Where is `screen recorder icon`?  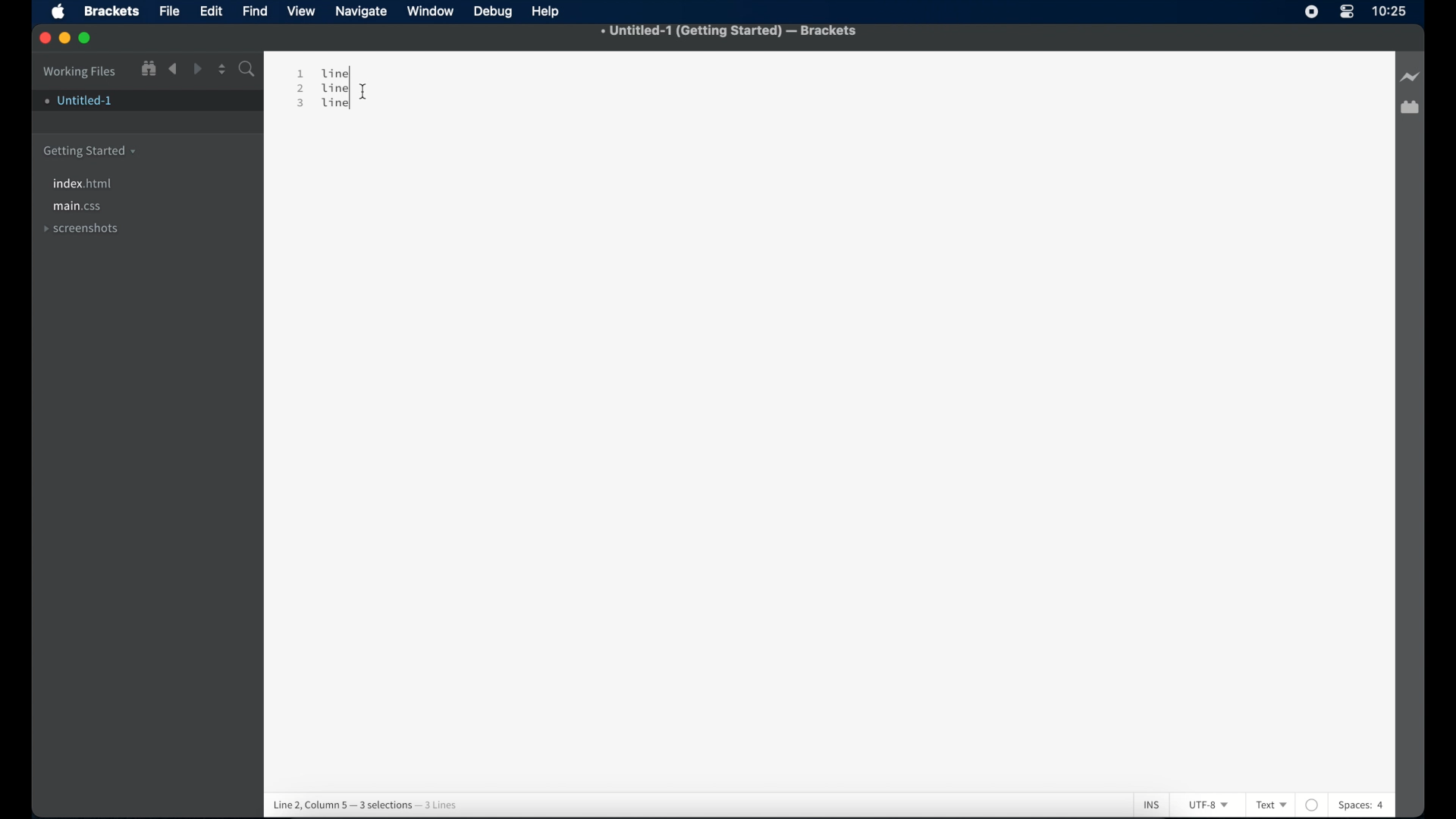
screen recorder icon is located at coordinates (1309, 11).